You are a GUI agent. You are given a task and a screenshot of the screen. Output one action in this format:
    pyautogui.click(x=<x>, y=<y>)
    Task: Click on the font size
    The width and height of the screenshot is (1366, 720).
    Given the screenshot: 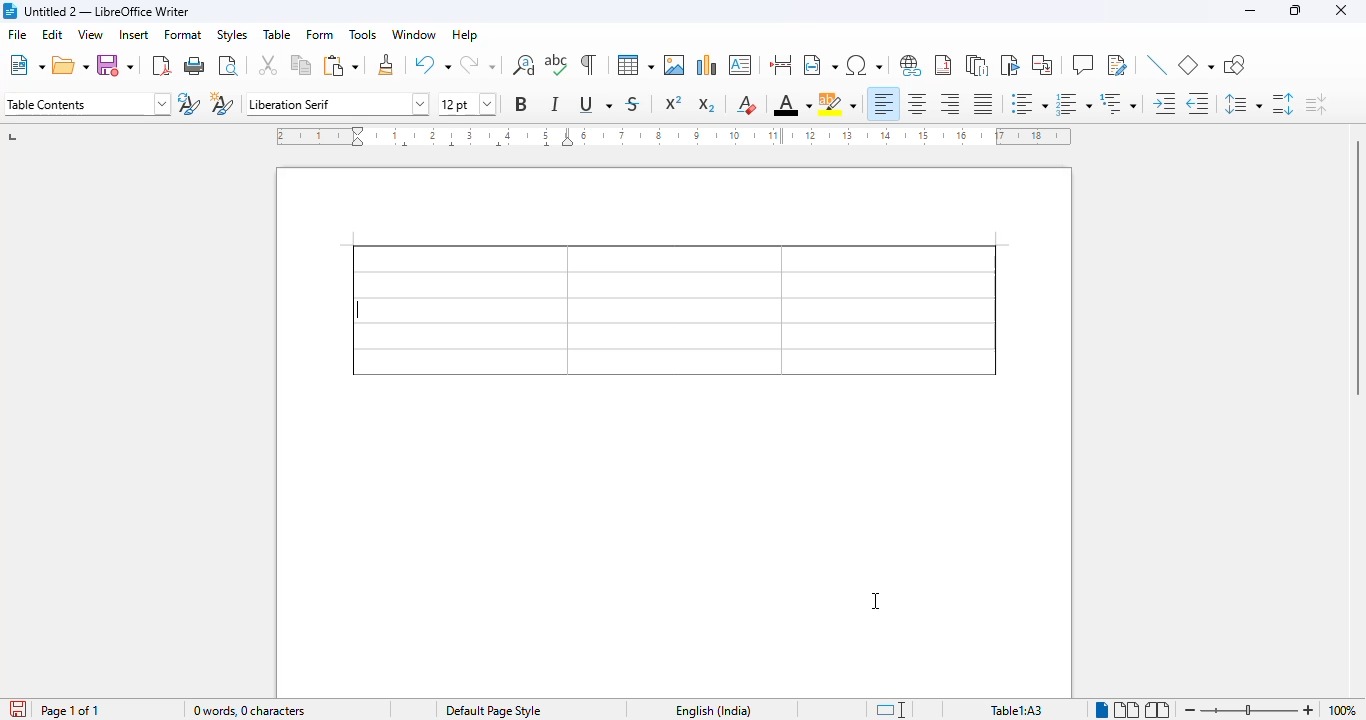 What is the action you would take?
    pyautogui.click(x=466, y=104)
    